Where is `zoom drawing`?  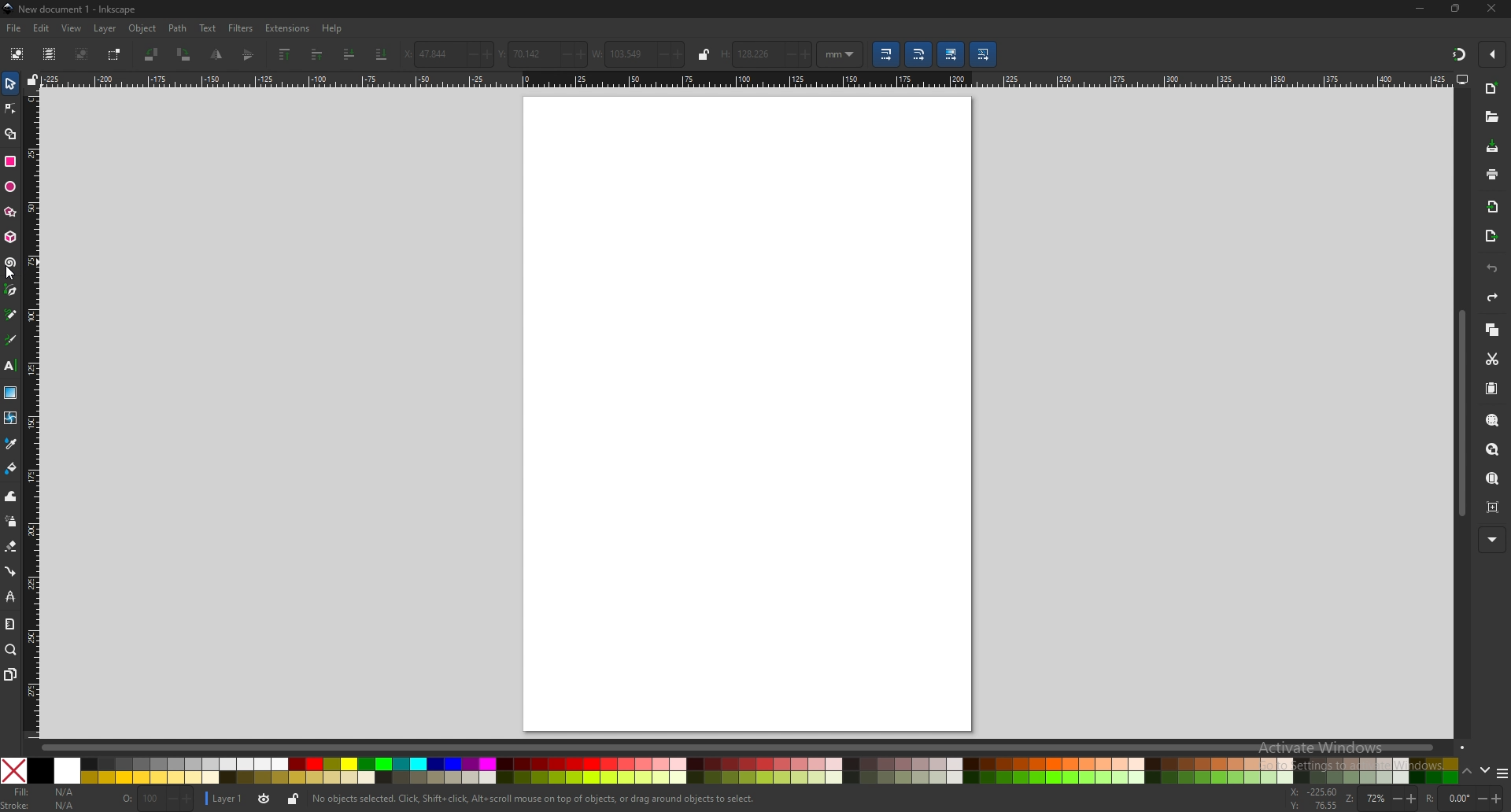 zoom drawing is located at coordinates (1492, 448).